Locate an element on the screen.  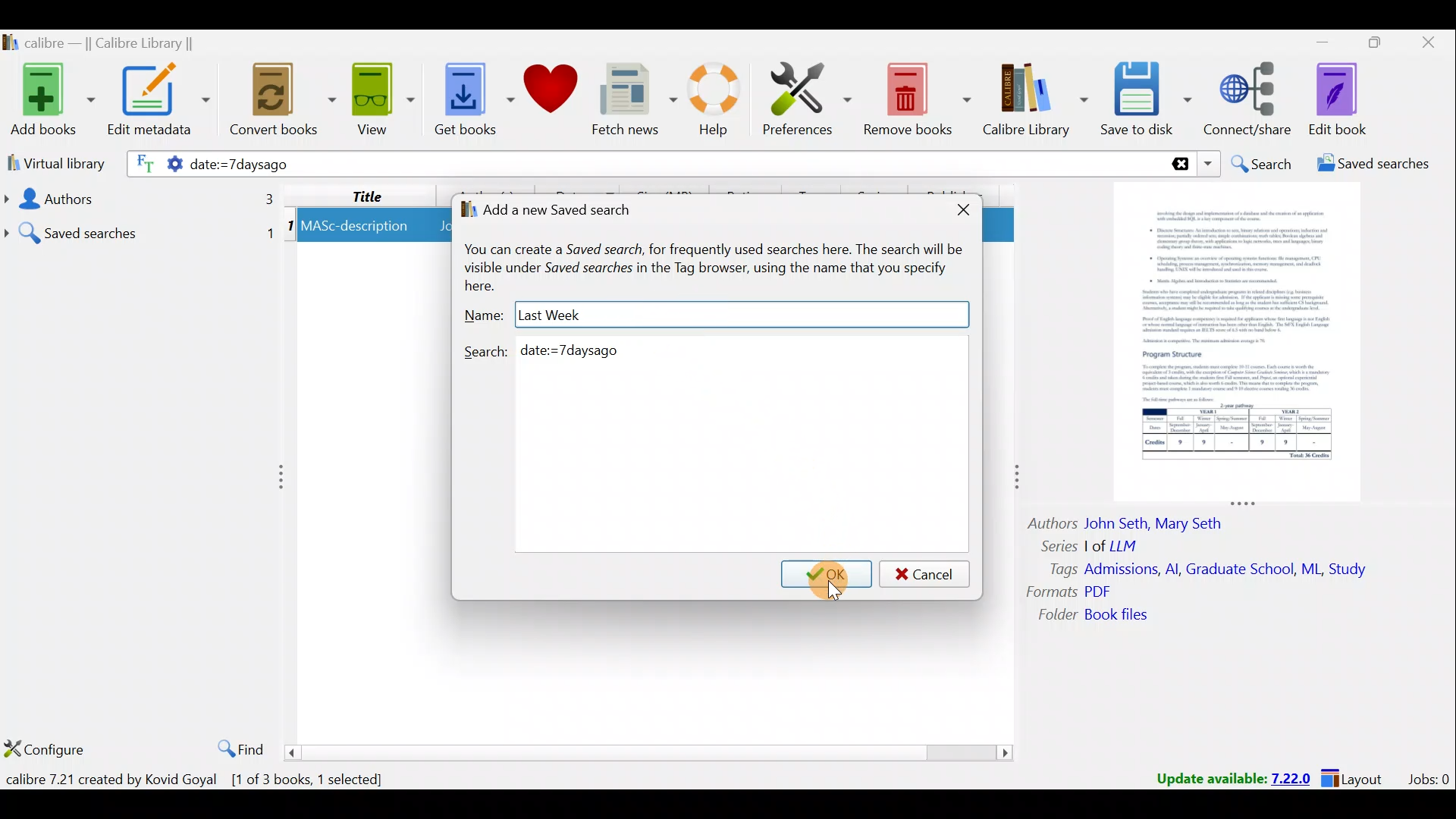
Help is located at coordinates (720, 102).